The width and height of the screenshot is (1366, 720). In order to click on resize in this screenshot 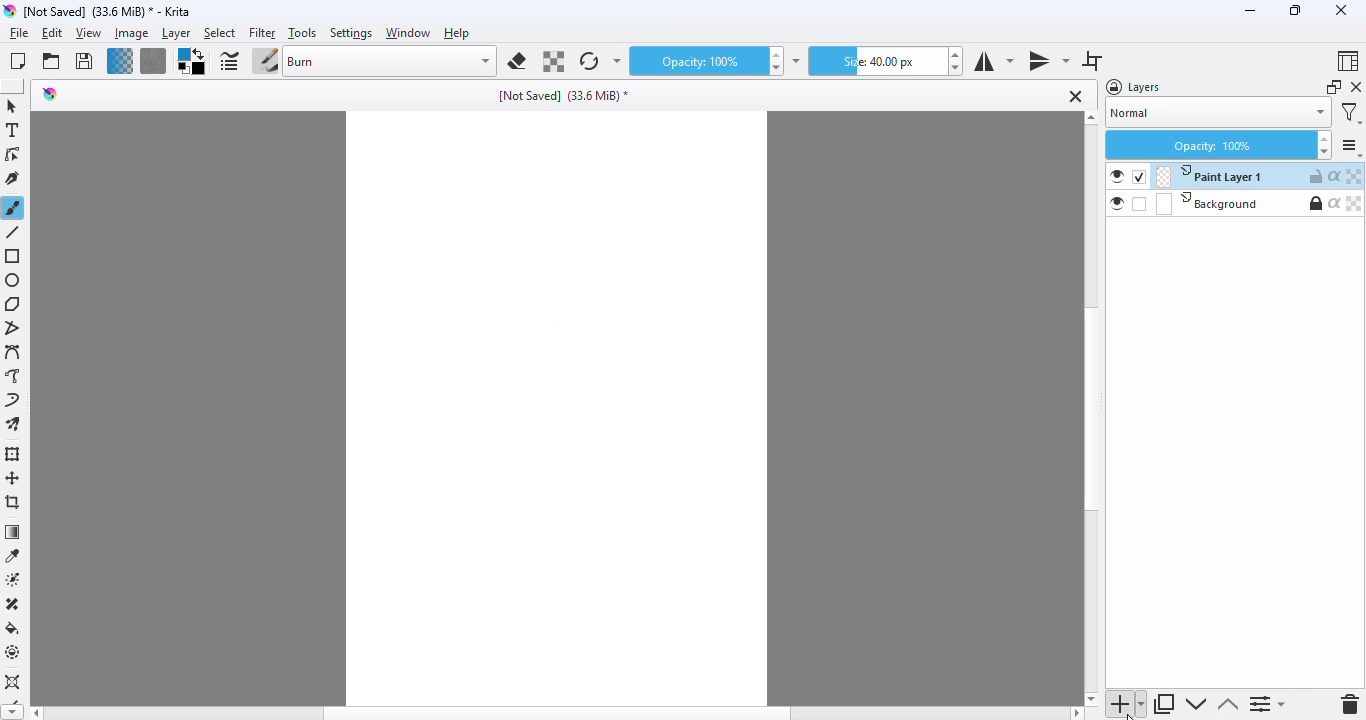, I will do `click(1293, 10)`.